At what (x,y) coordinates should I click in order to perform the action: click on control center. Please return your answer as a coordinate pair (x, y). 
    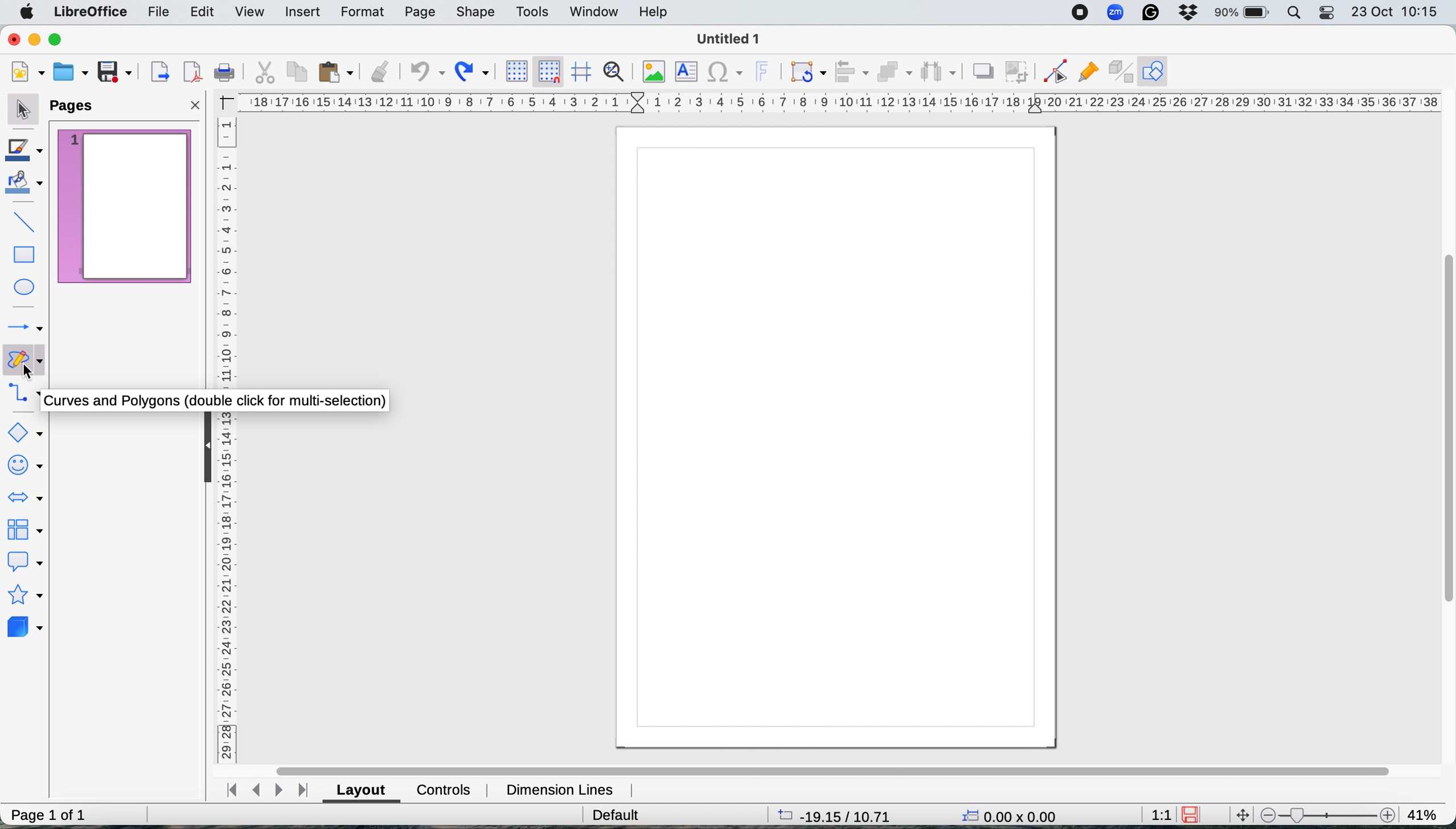
    Looking at the image, I should click on (1328, 16).